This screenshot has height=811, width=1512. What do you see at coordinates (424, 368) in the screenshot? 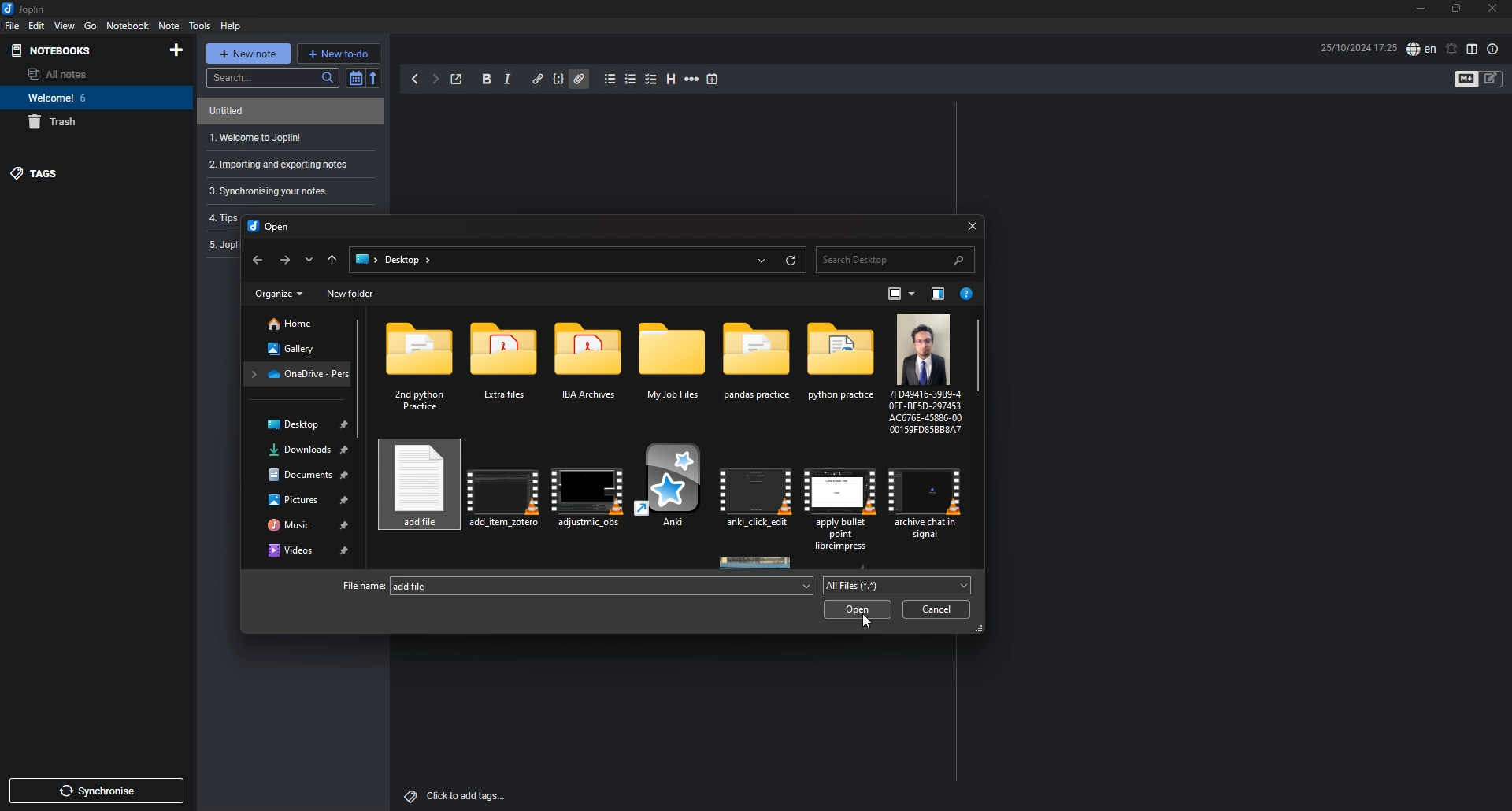
I see `folder` at bounding box center [424, 368].